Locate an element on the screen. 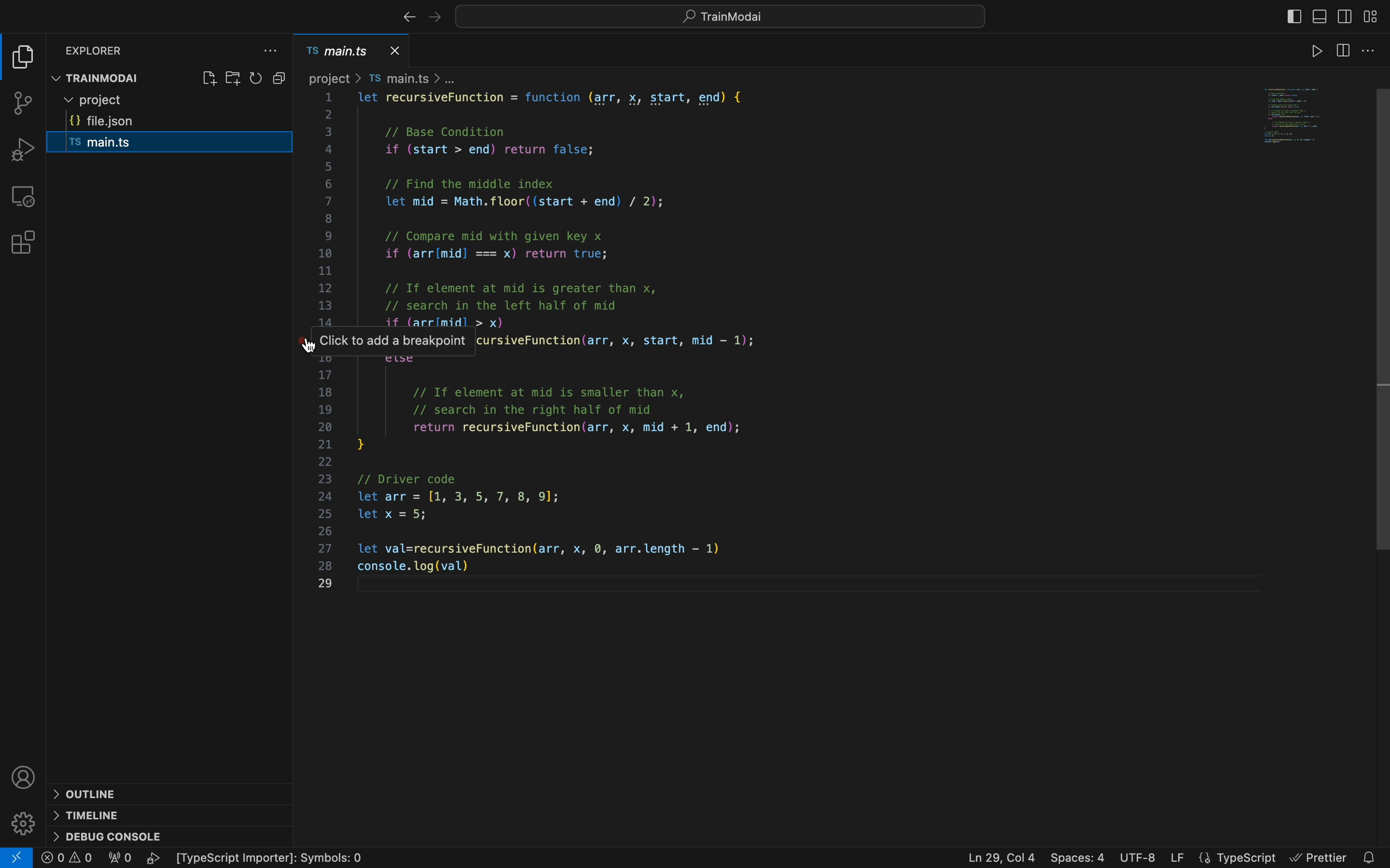 This screenshot has width=1390, height=868. Prettier is located at coordinates (1322, 852).